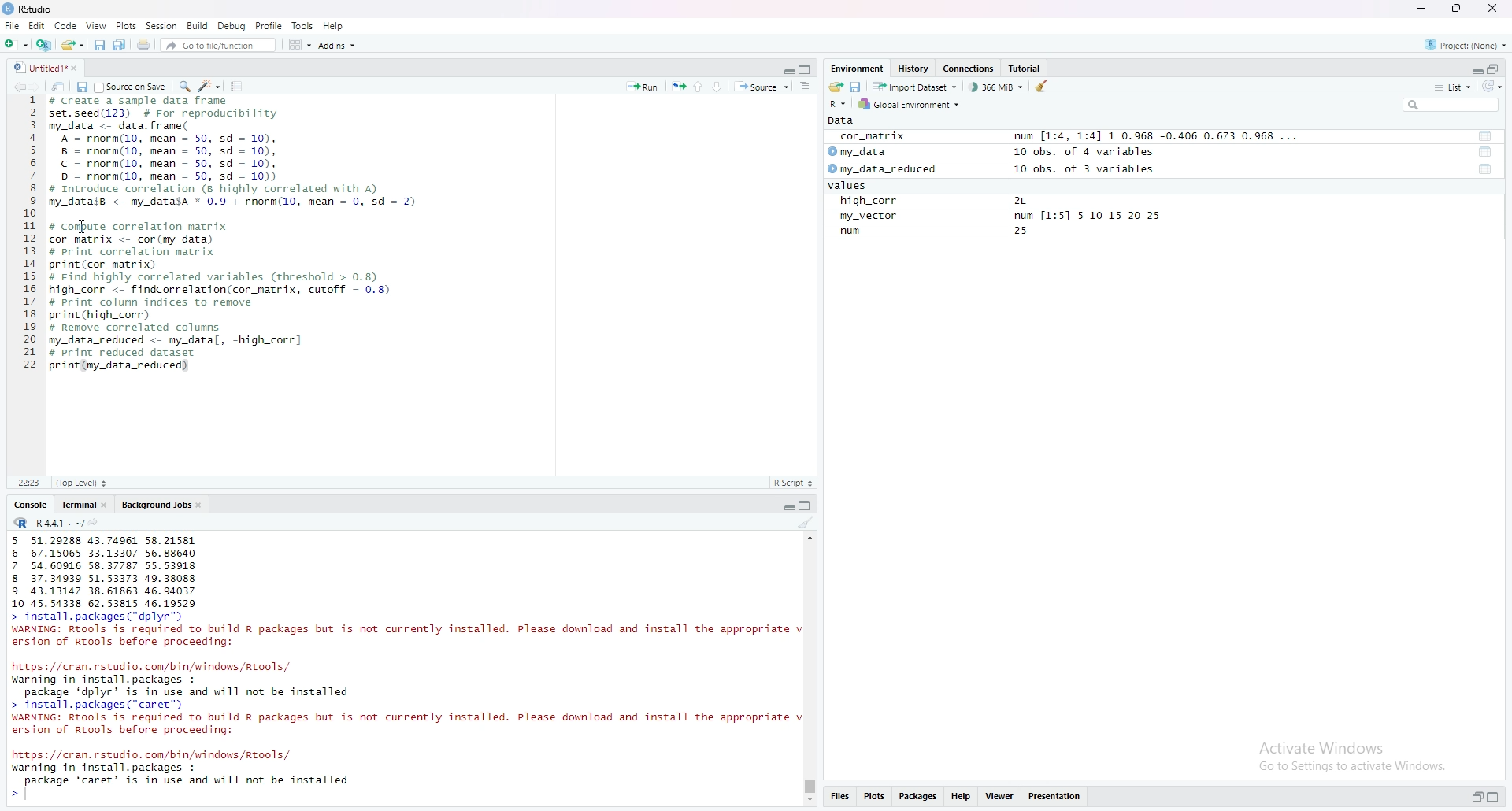  I want to click on Scroll down, so click(812, 802).